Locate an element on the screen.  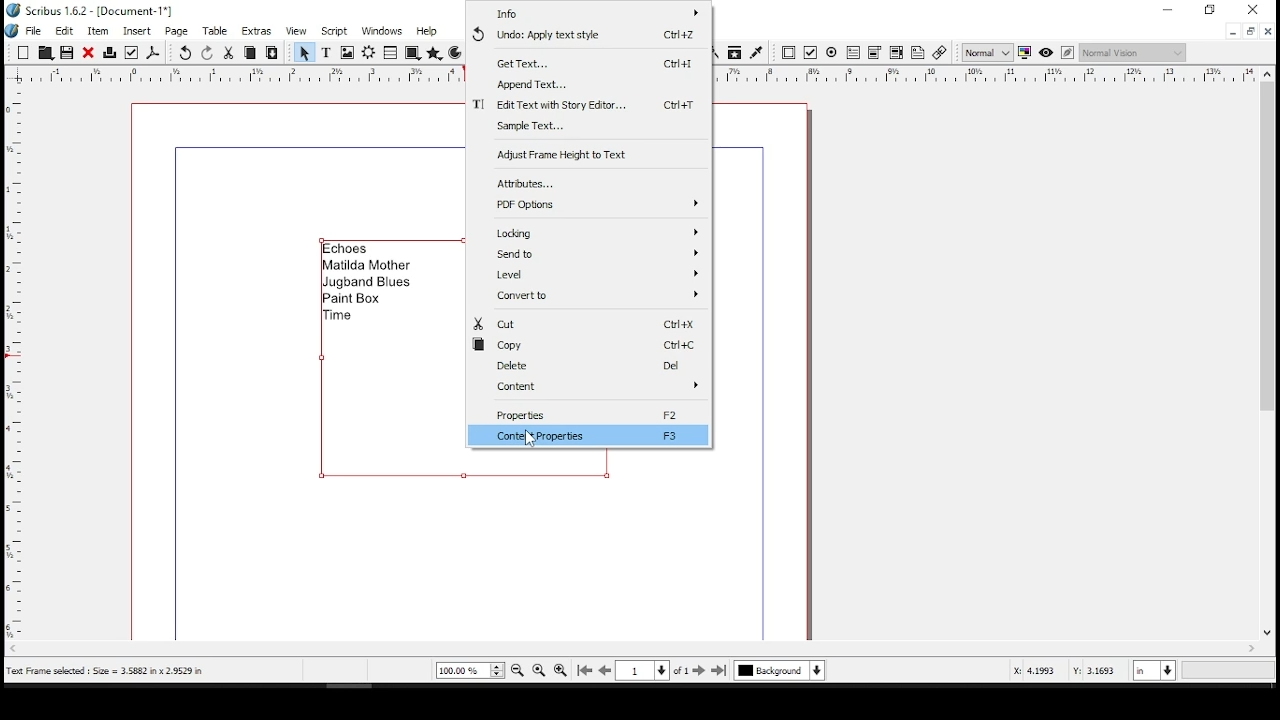
link annotation is located at coordinates (940, 53).